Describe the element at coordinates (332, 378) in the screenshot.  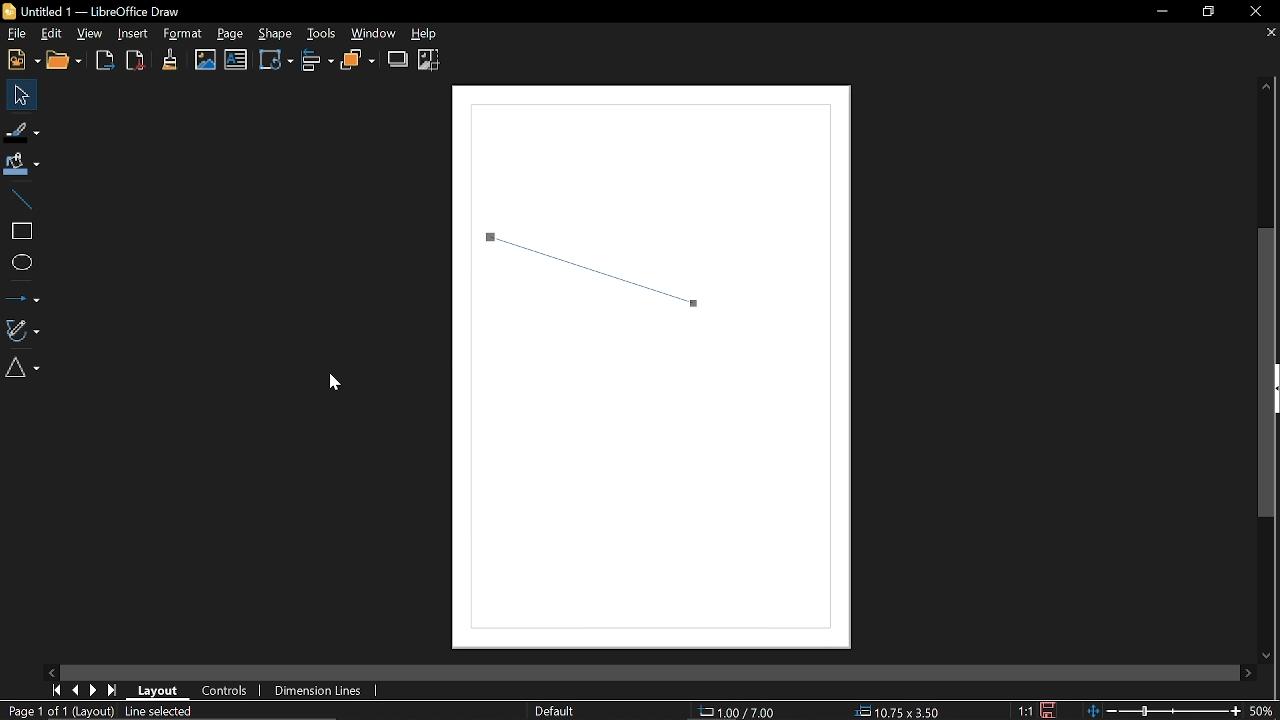
I see `Cursor` at that location.